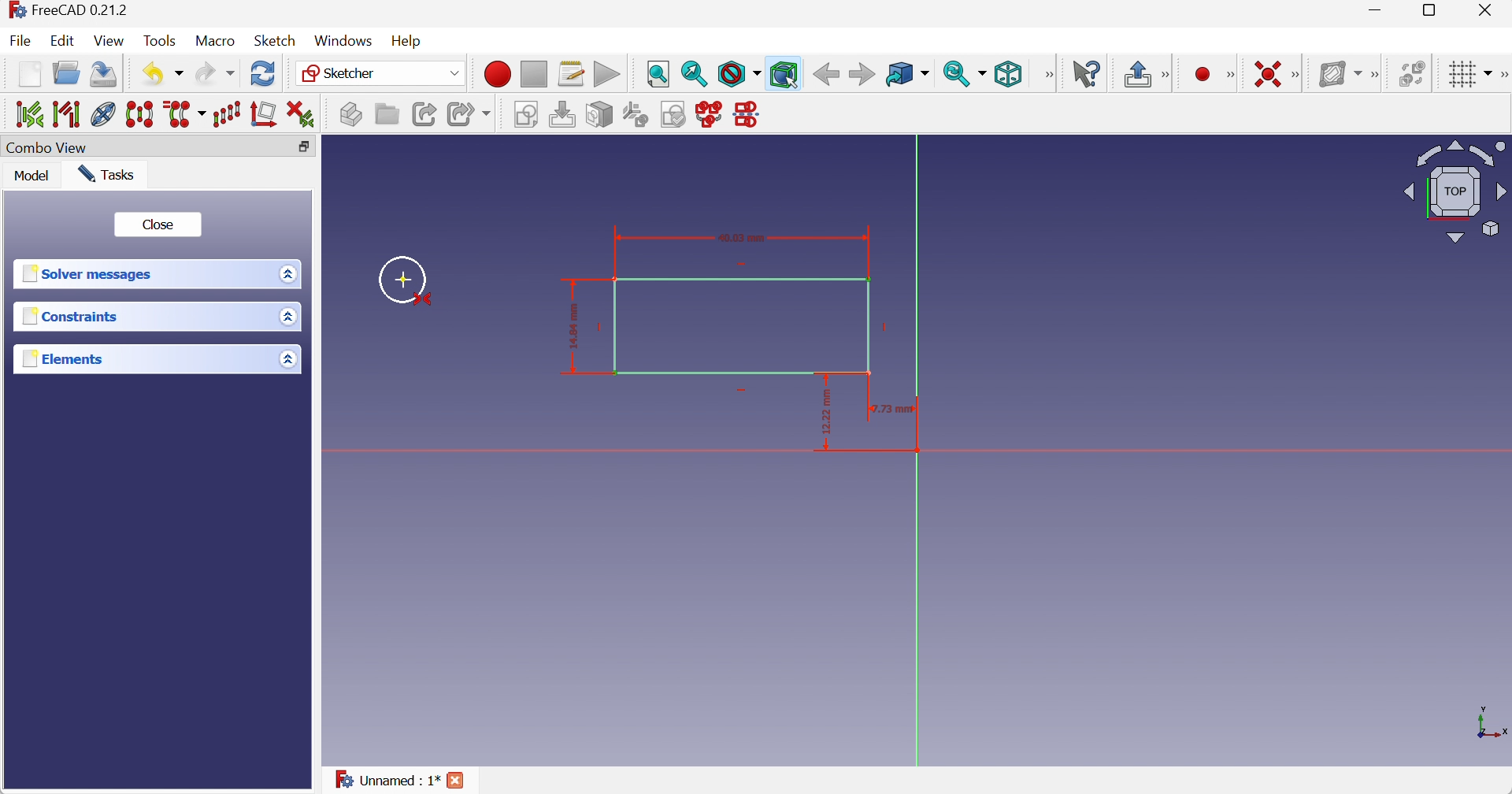 The image size is (1512, 794). Describe the element at coordinates (1230, 75) in the screenshot. I see `[Sketcher geometries]` at that location.